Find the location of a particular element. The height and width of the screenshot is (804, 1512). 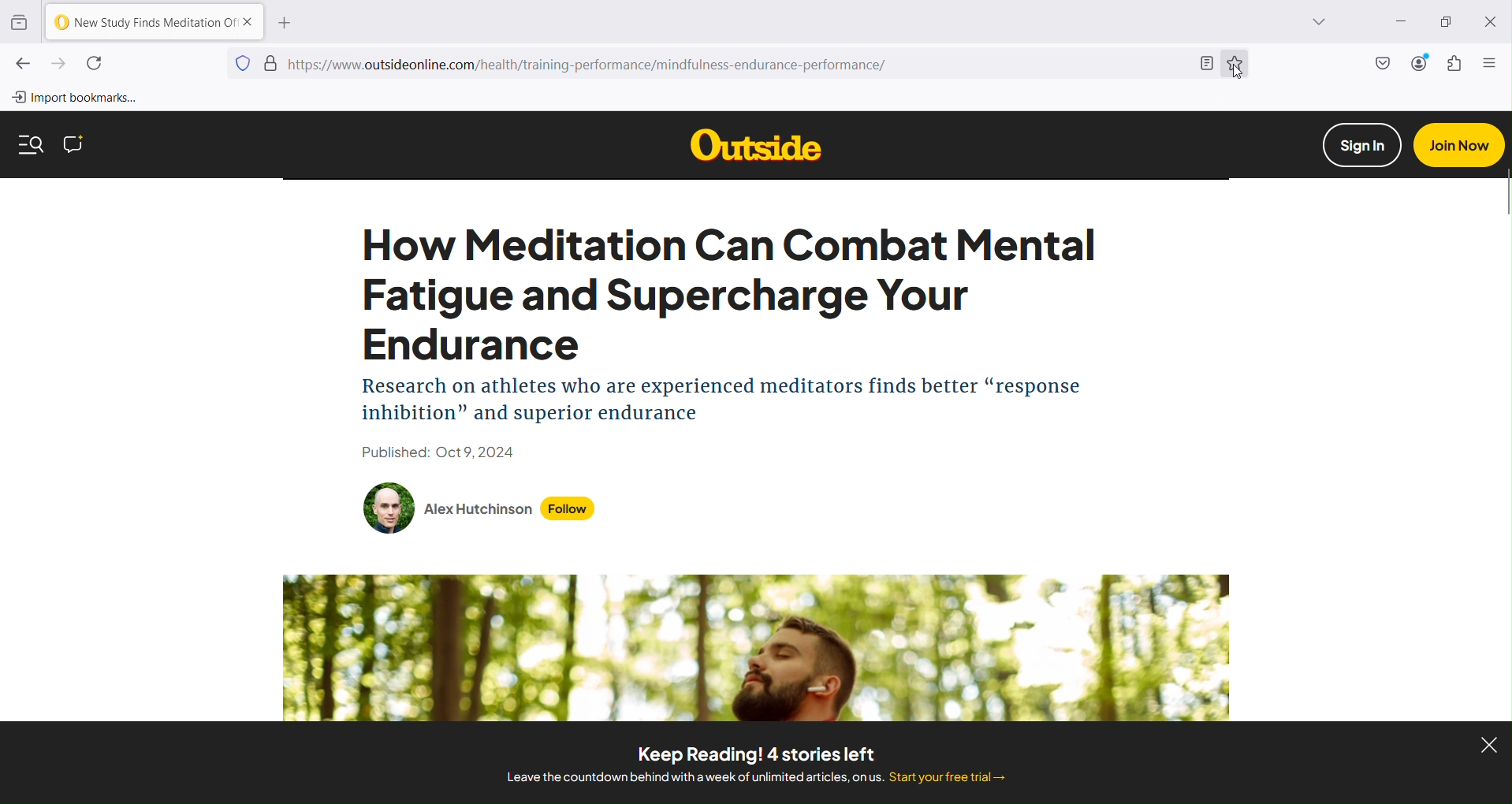

Save to Pocket is located at coordinates (1380, 65).